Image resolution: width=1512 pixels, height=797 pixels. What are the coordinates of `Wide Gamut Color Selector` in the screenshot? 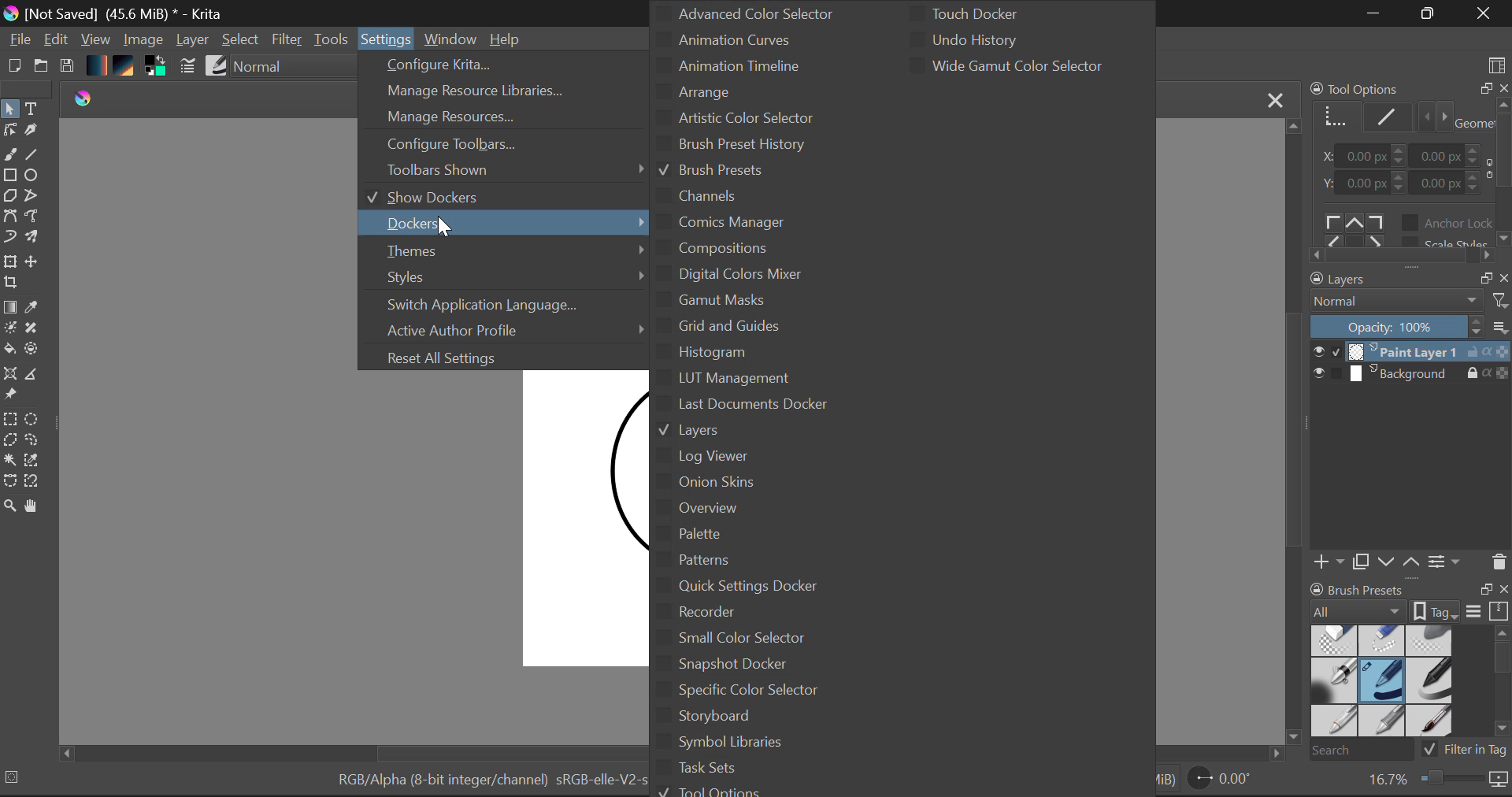 It's located at (1010, 67).